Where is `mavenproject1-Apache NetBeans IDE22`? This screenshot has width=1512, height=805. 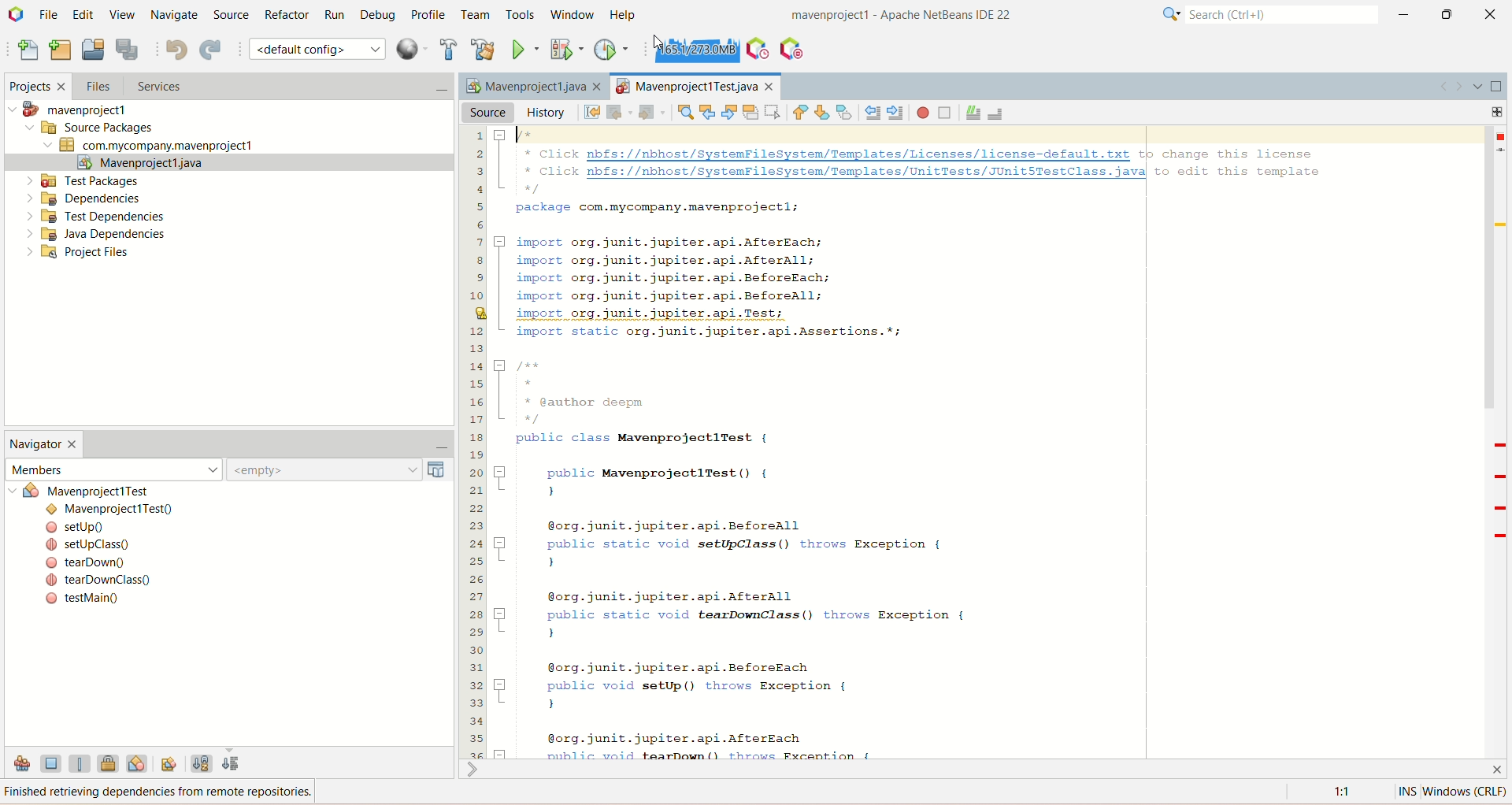 mavenproject1-Apache NetBeans IDE22 is located at coordinates (862, 17).